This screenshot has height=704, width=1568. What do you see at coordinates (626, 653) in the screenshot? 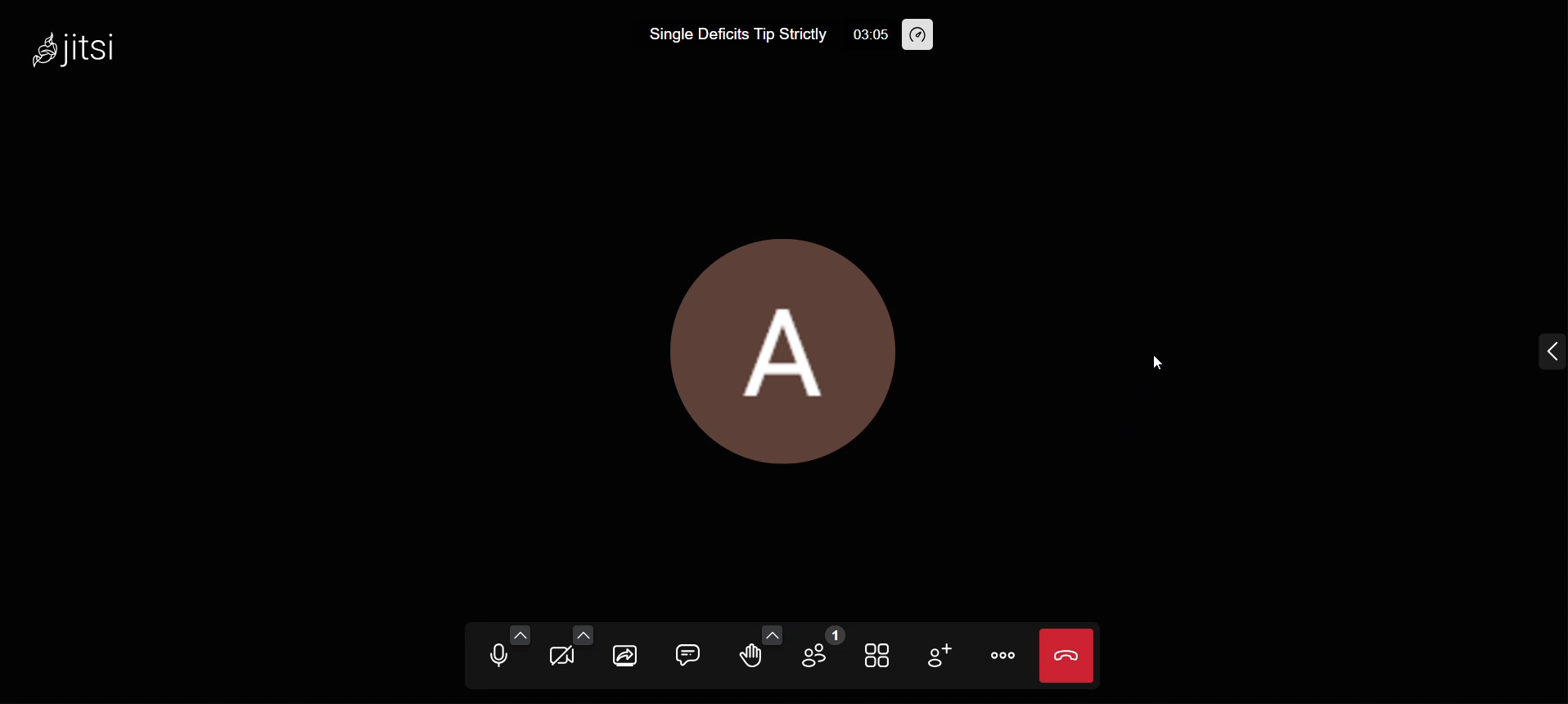
I see `start screen sharing` at bounding box center [626, 653].